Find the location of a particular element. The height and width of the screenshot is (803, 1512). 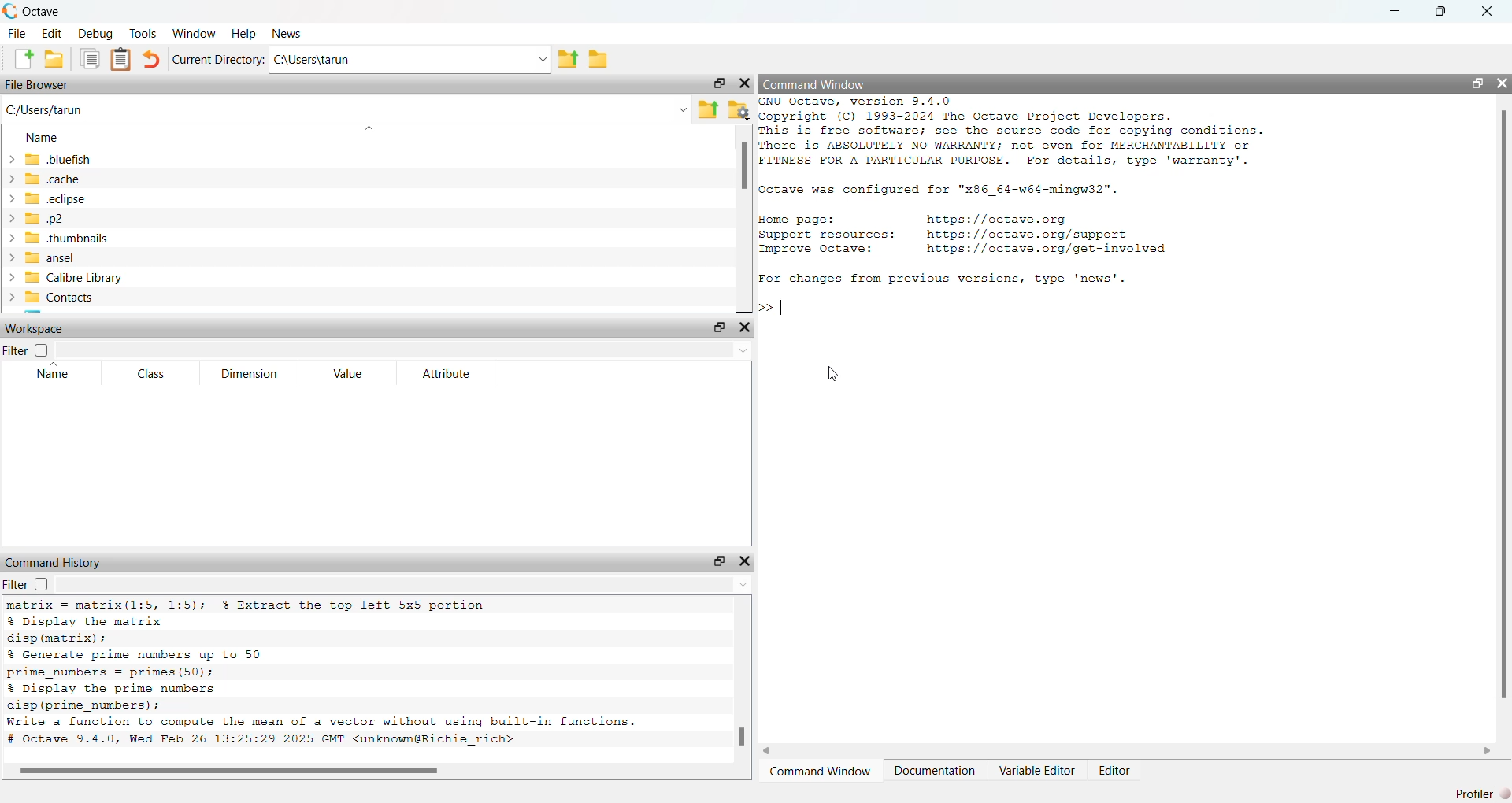

folder settings is located at coordinates (739, 111).